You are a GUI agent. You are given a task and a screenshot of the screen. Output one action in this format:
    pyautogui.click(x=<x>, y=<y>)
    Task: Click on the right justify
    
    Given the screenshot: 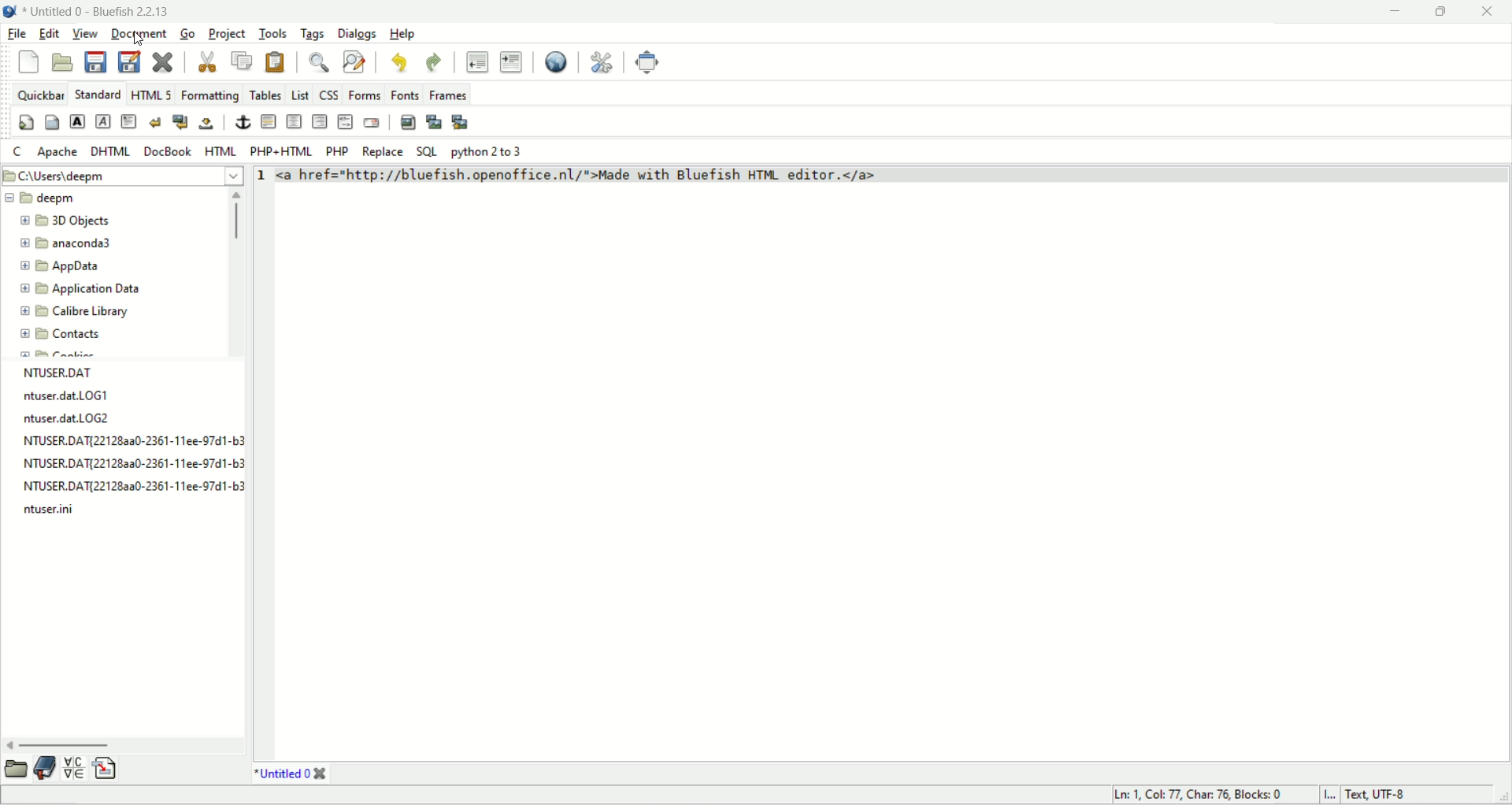 What is the action you would take?
    pyautogui.click(x=322, y=121)
    